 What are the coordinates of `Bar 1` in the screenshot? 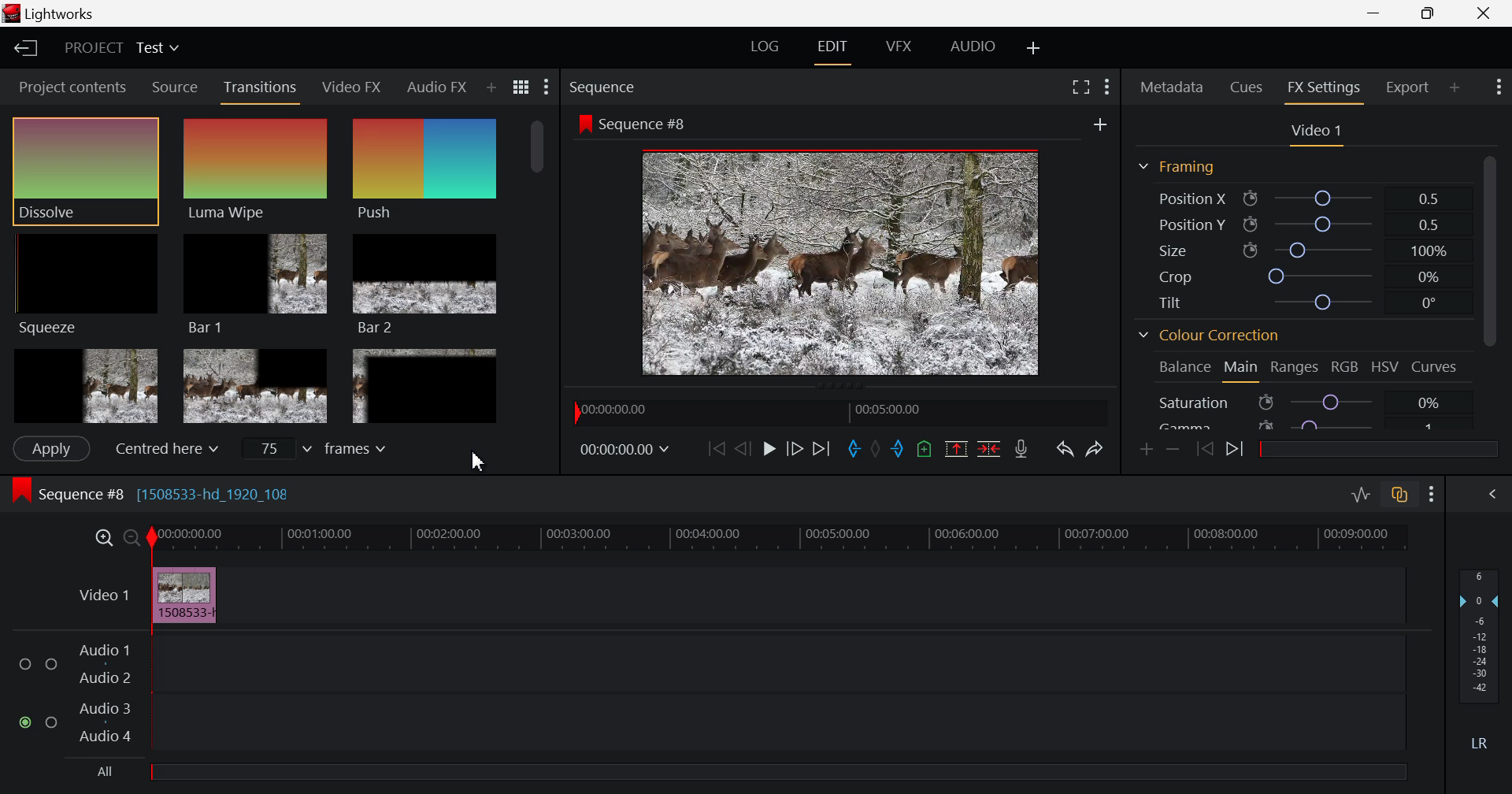 It's located at (254, 284).